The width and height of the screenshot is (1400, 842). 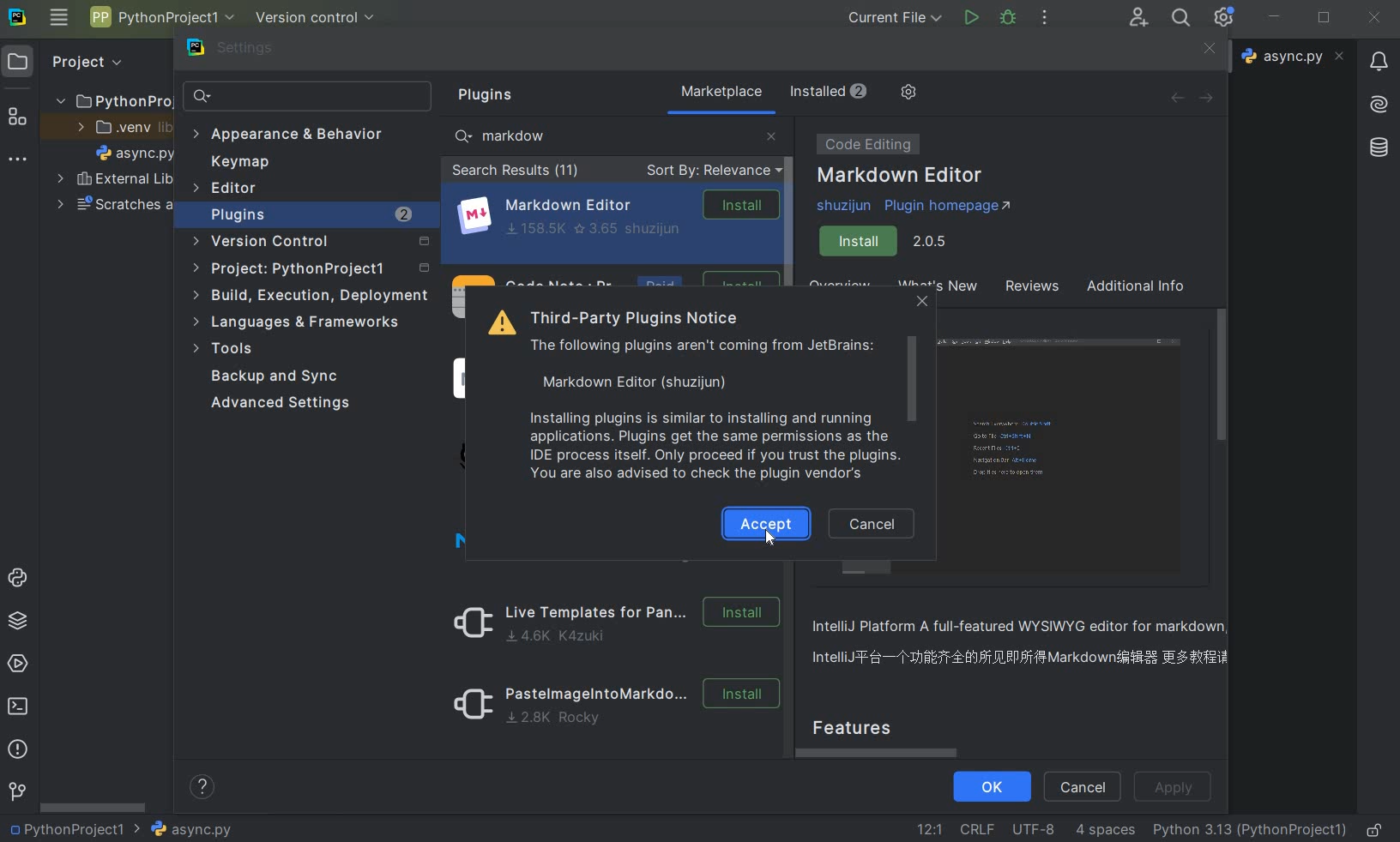 I want to click on search settings, so click(x=309, y=97).